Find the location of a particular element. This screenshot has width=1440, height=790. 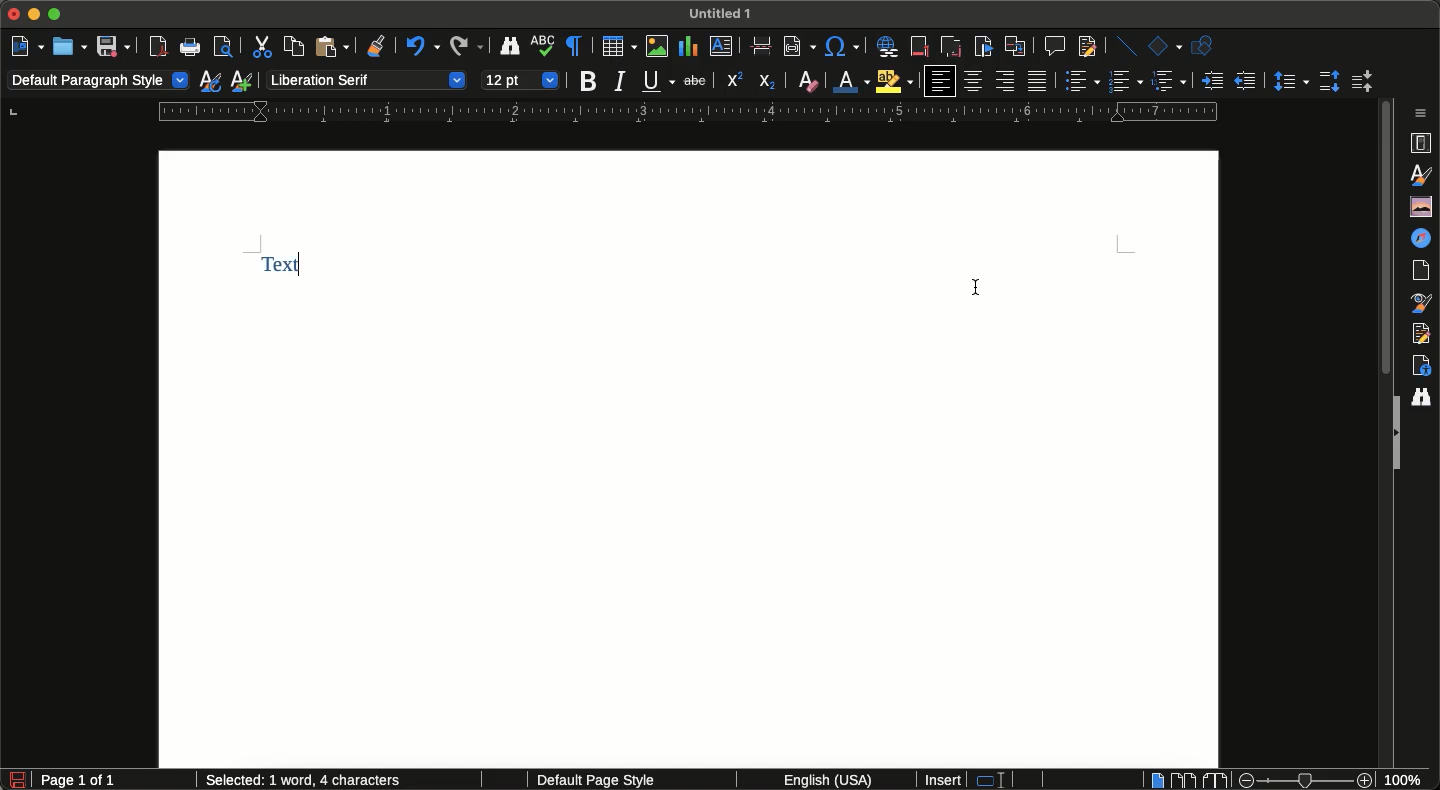

Highlight color is located at coordinates (896, 81).